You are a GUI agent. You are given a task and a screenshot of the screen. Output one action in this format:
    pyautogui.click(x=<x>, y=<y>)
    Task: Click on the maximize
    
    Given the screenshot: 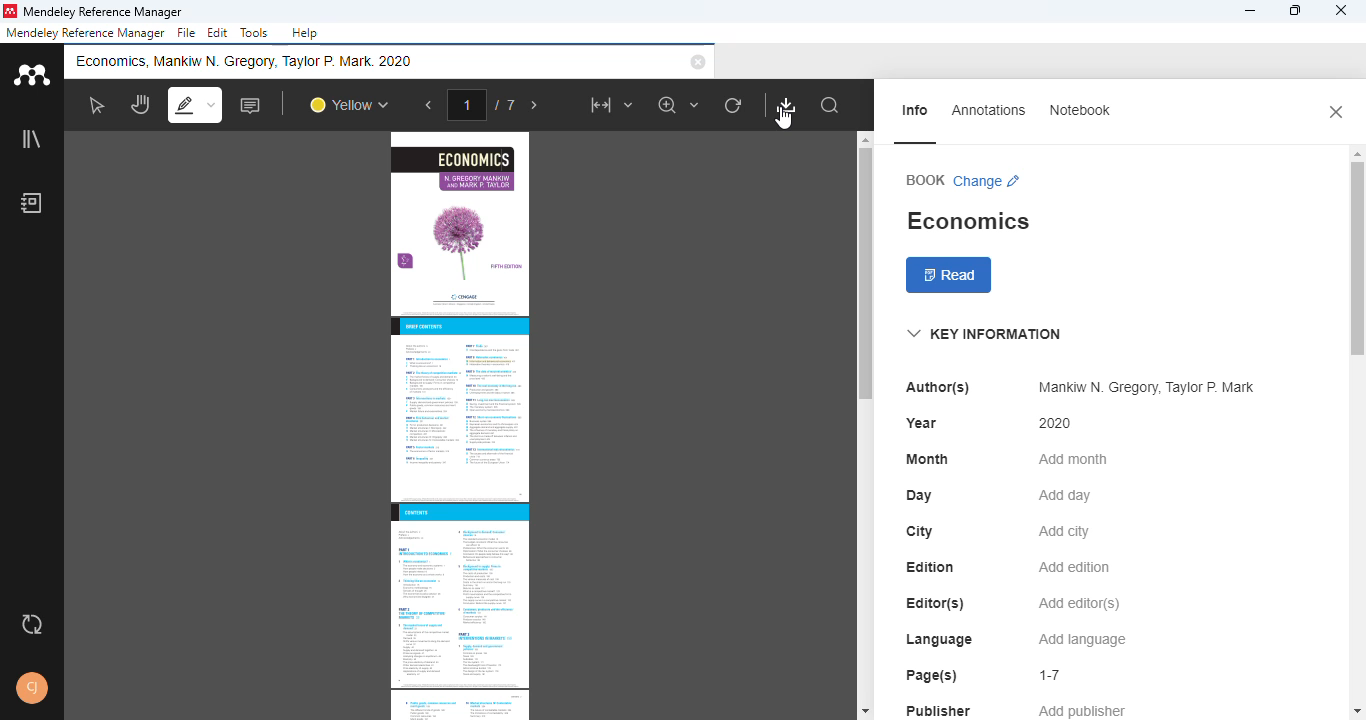 What is the action you would take?
    pyautogui.click(x=1295, y=11)
    